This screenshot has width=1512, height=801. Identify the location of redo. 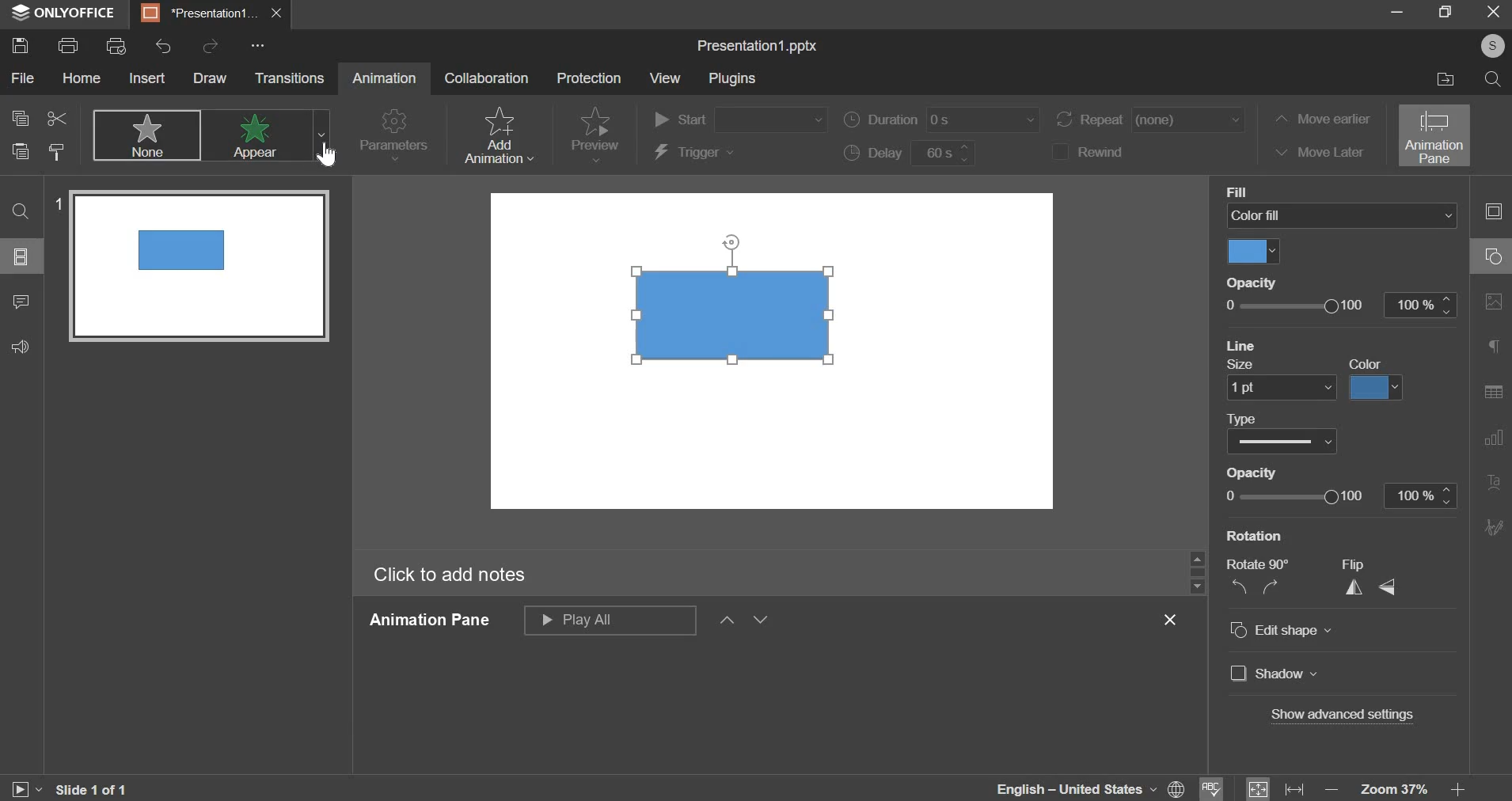
(210, 47).